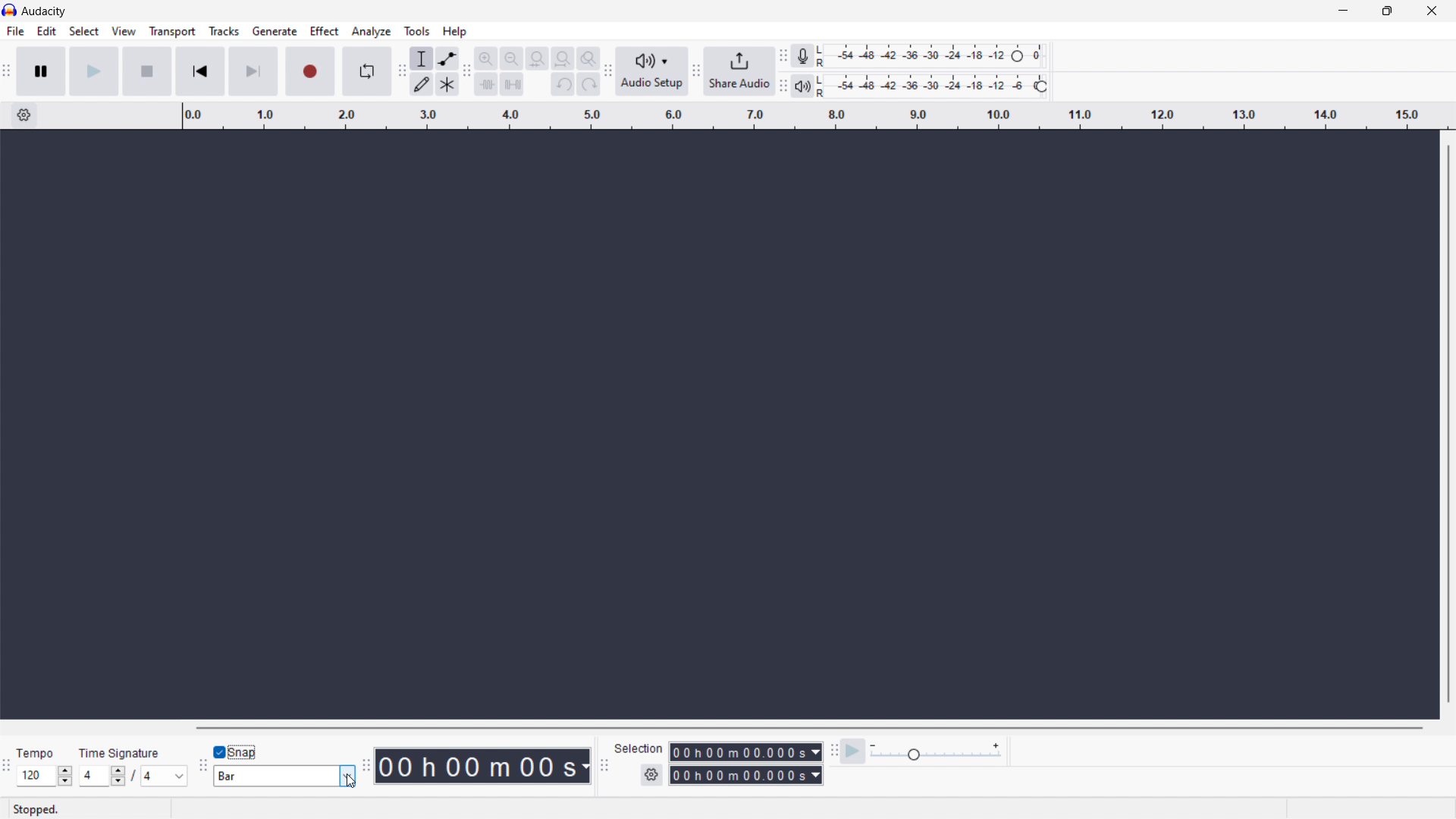 This screenshot has width=1456, height=819. Describe the element at coordinates (239, 752) in the screenshot. I see `toggle snap` at that location.